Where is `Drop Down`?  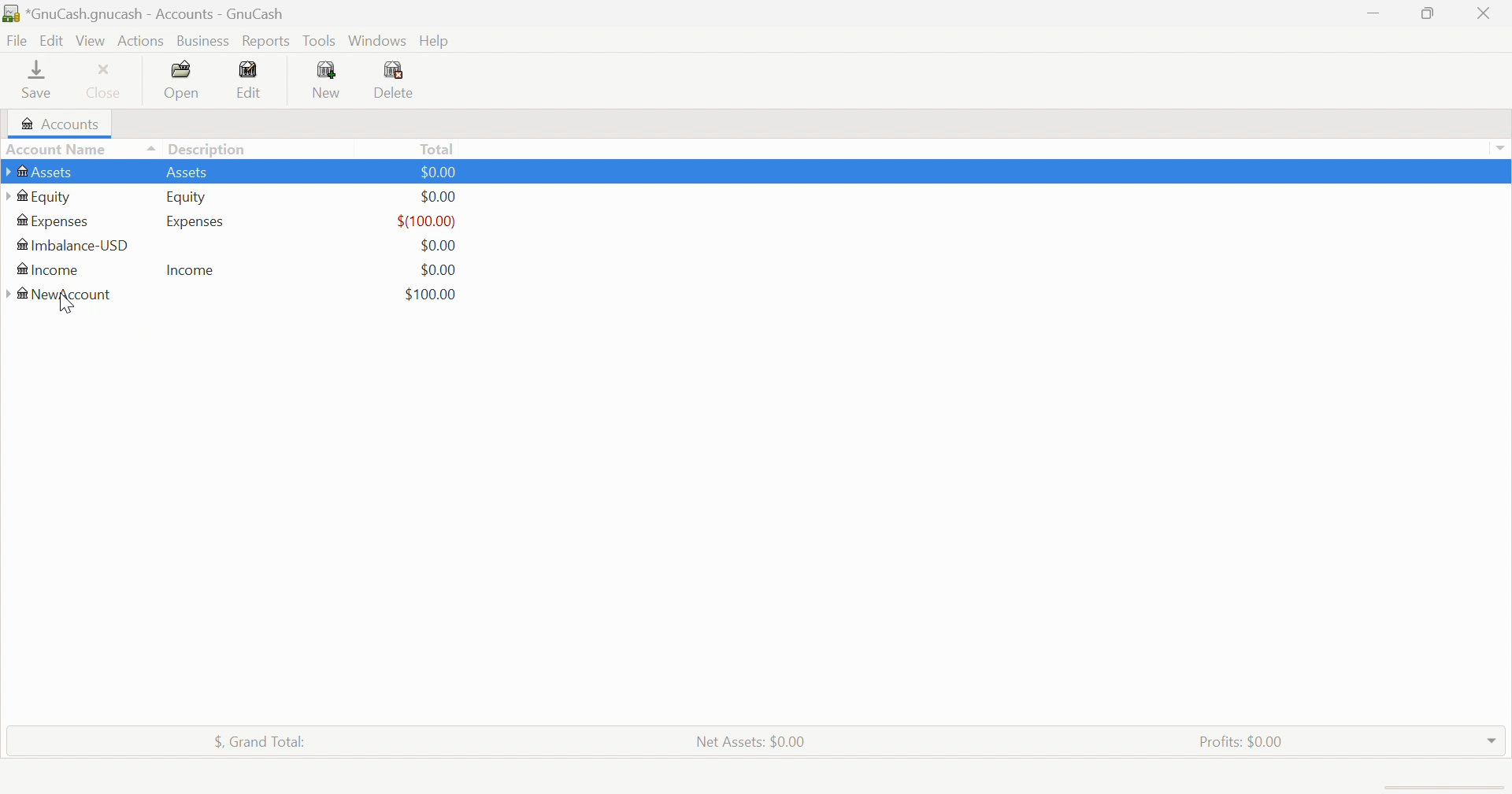 Drop Down is located at coordinates (1490, 740).